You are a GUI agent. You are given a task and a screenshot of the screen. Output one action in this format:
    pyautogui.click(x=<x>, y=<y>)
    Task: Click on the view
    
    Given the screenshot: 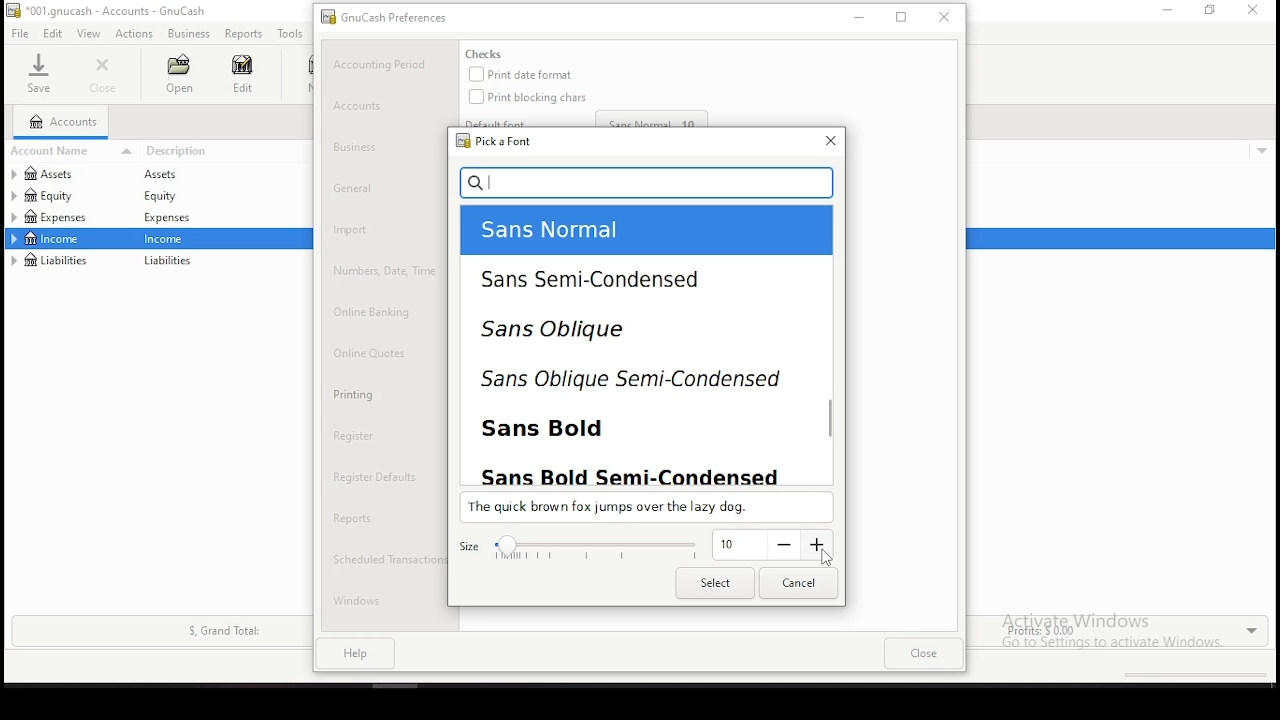 What is the action you would take?
    pyautogui.click(x=89, y=34)
    